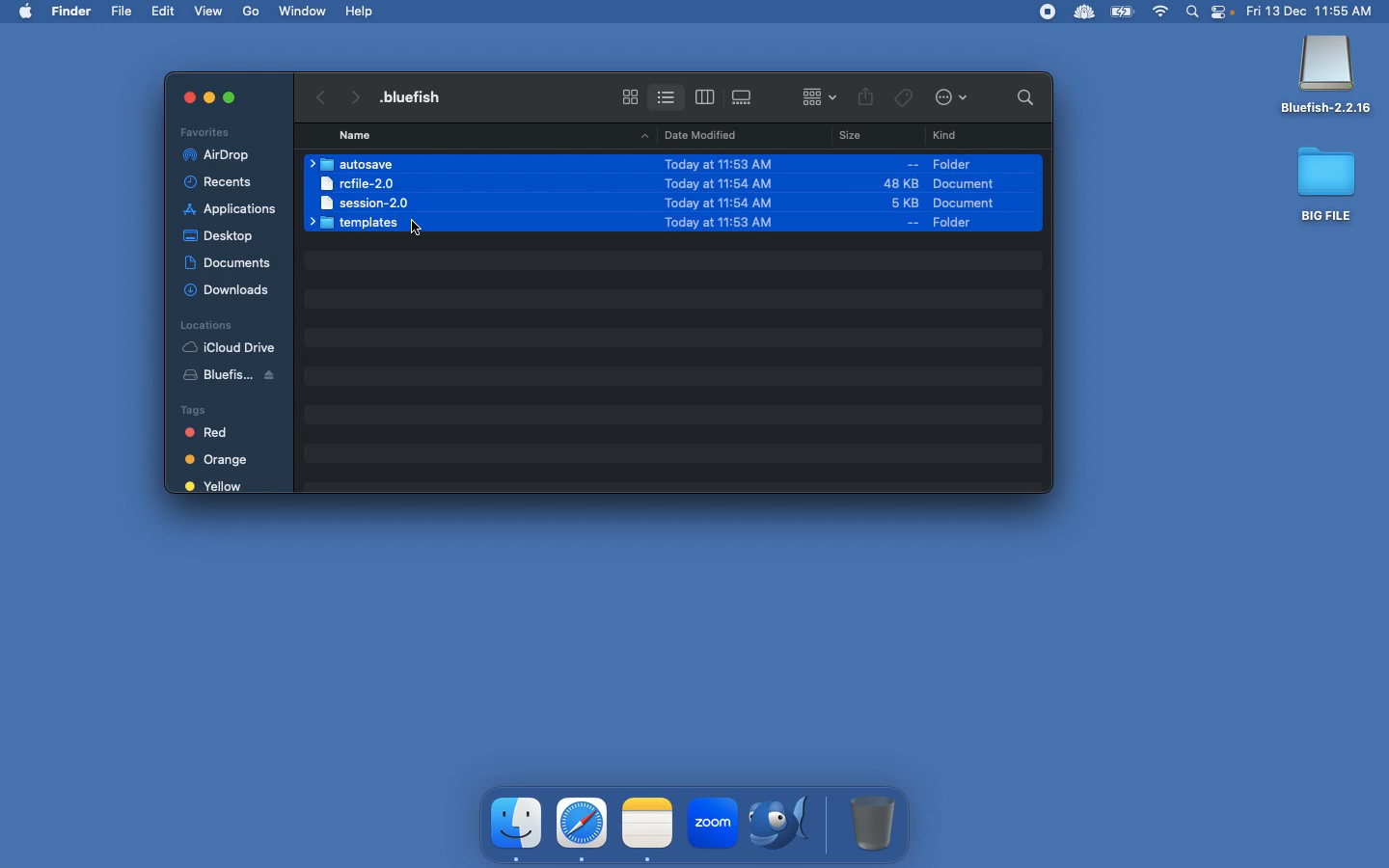 The image size is (1389, 868). What do you see at coordinates (630, 96) in the screenshot?
I see `Icon View` at bounding box center [630, 96].